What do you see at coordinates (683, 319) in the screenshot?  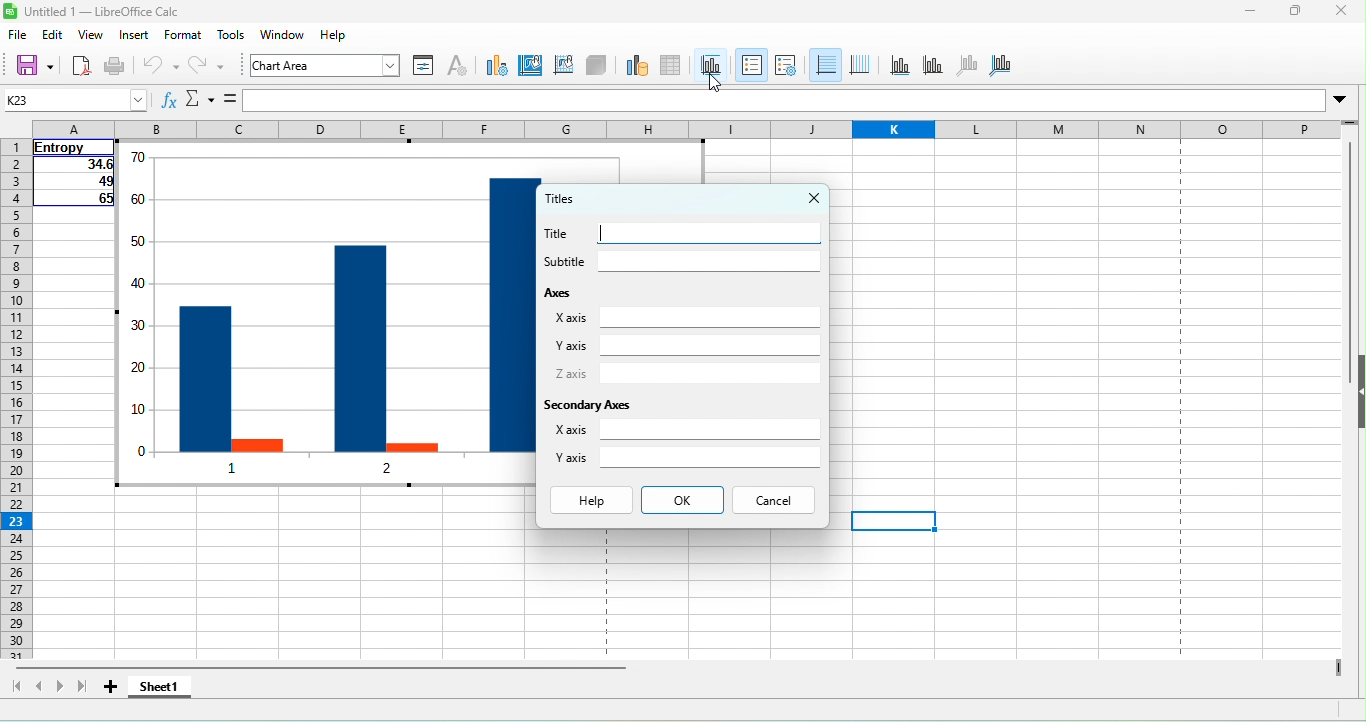 I see `x axis` at bounding box center [683, 319].